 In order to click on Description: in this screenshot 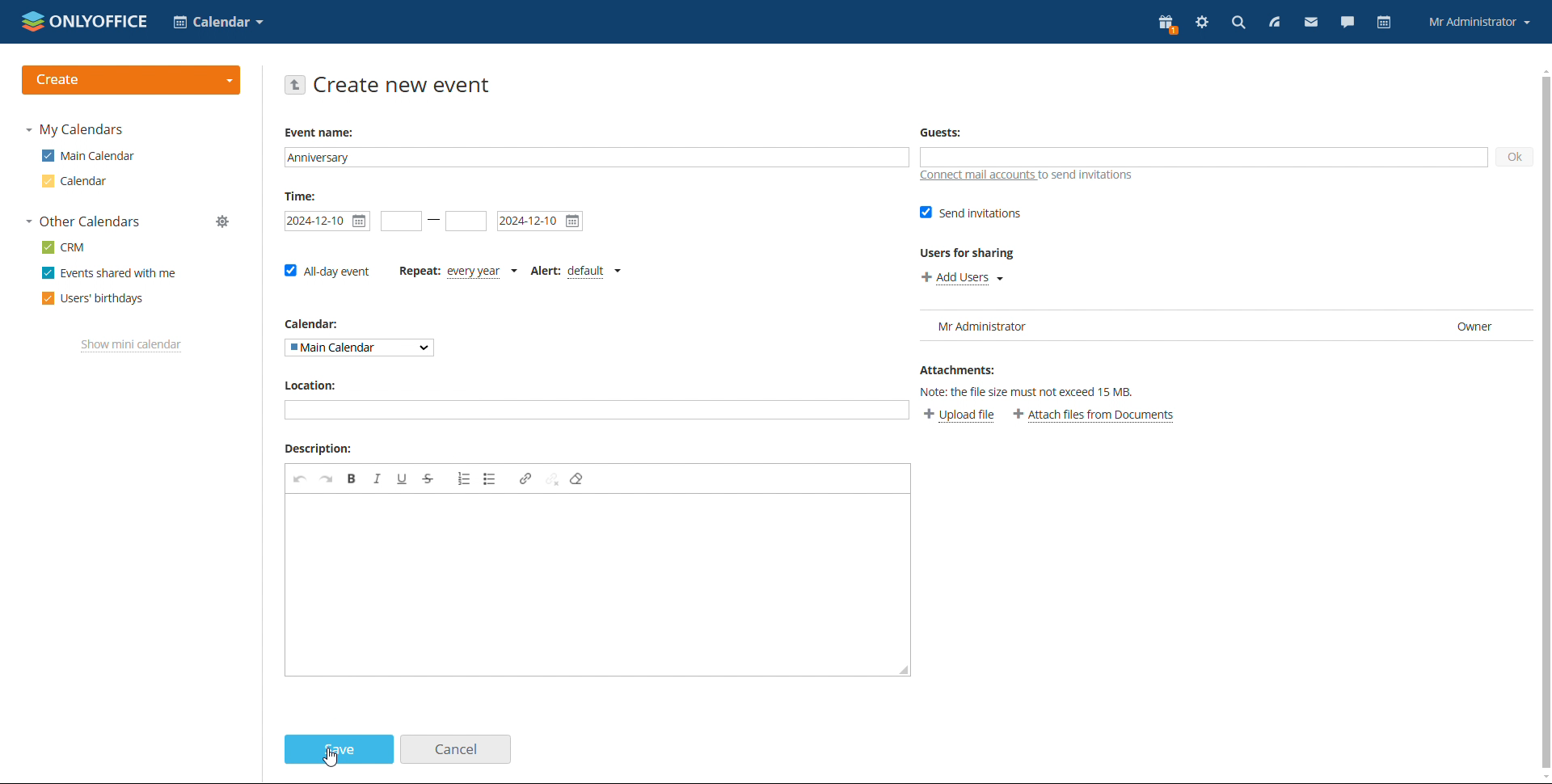, I will do `click(319, 448)`.